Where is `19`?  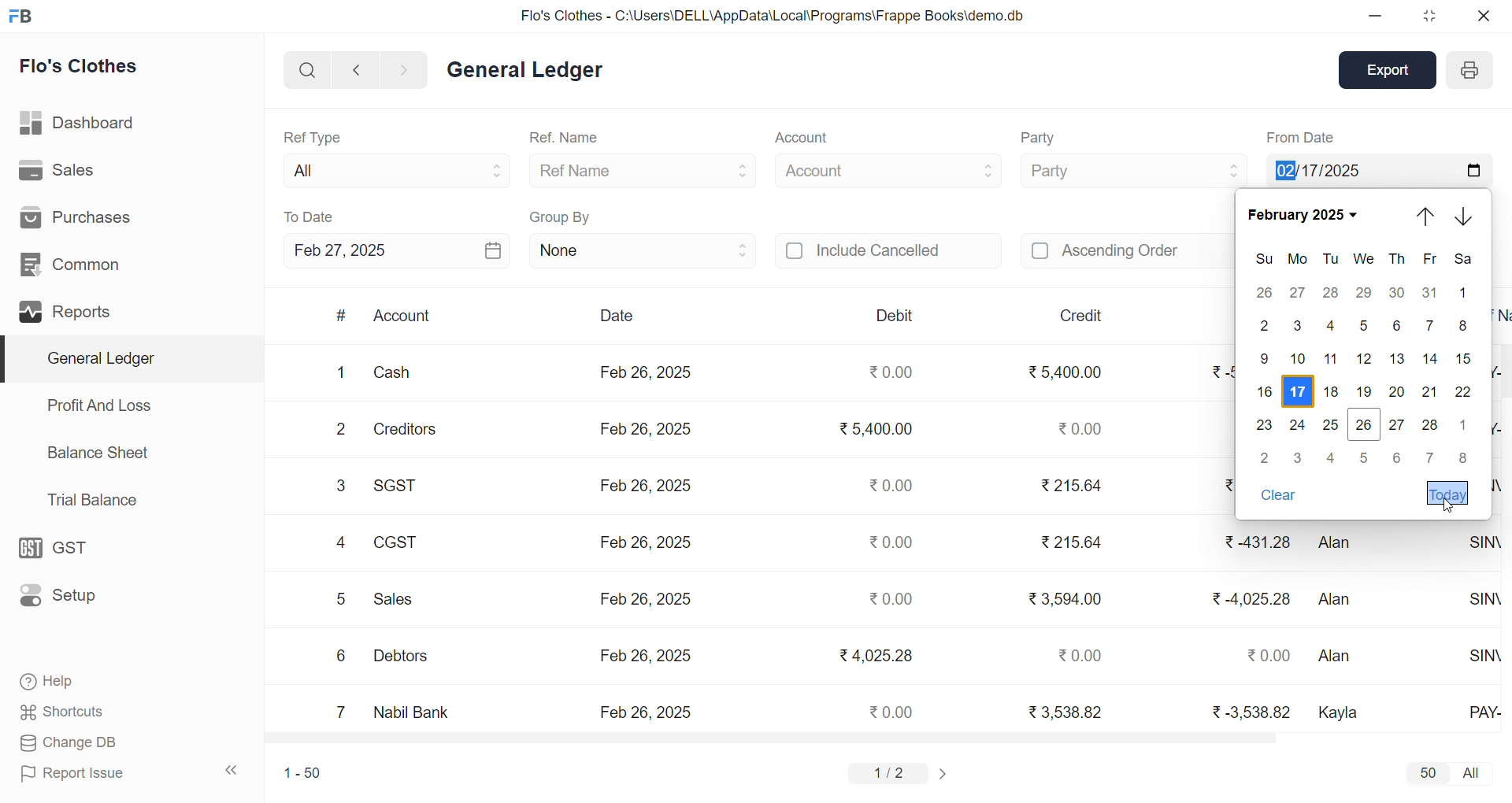
19 is located at coordinates (1362, 391).